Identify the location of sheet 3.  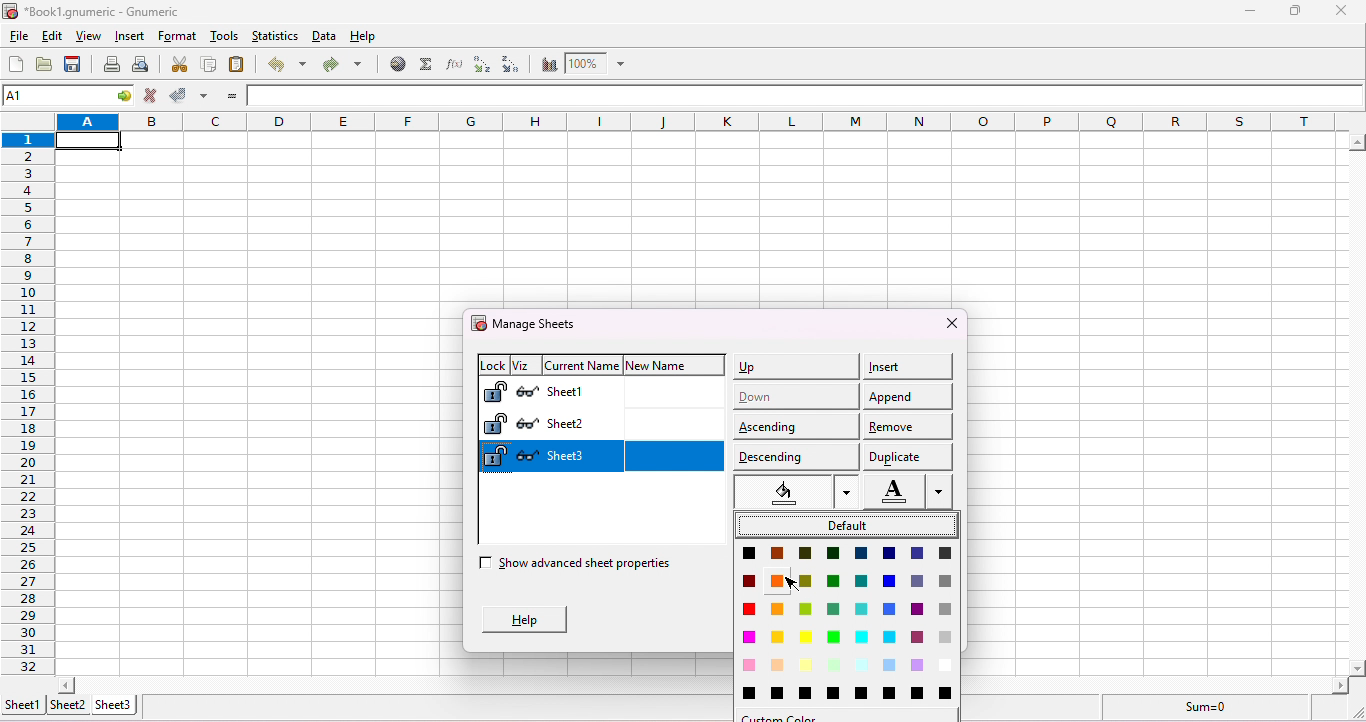
(117, 705).